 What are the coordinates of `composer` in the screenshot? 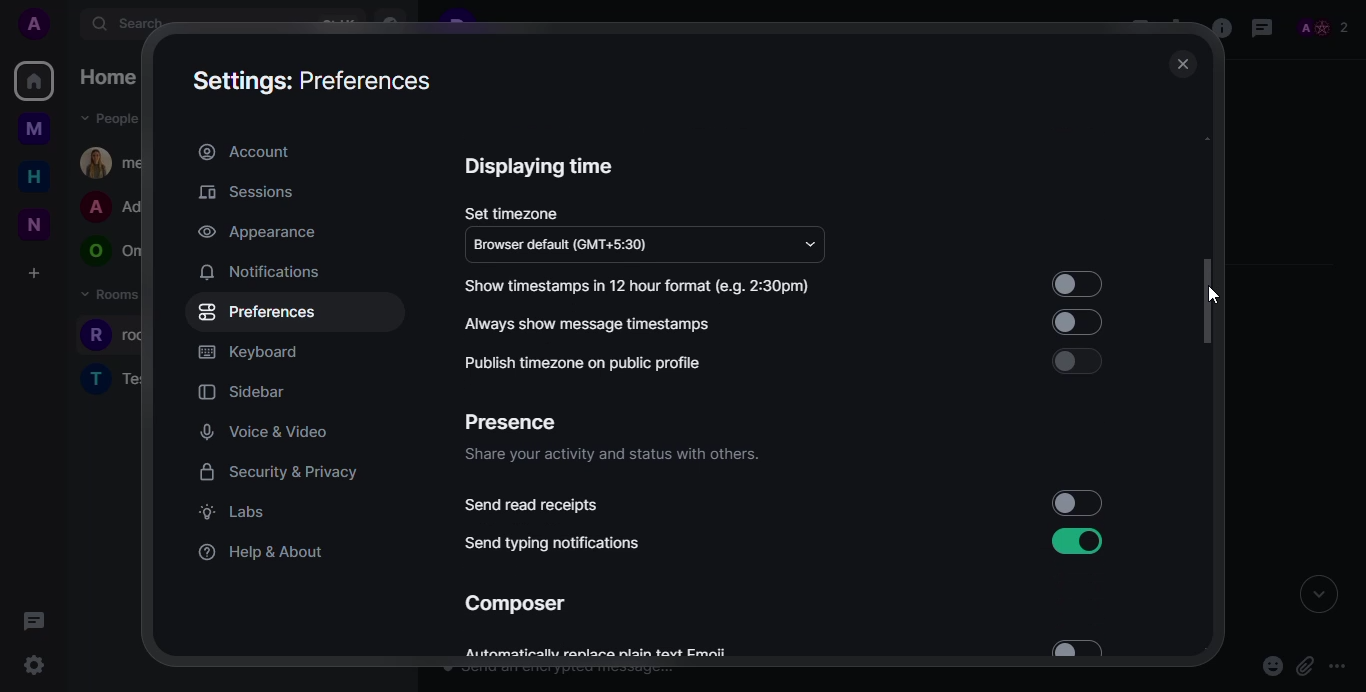 It's located at (515, 604).